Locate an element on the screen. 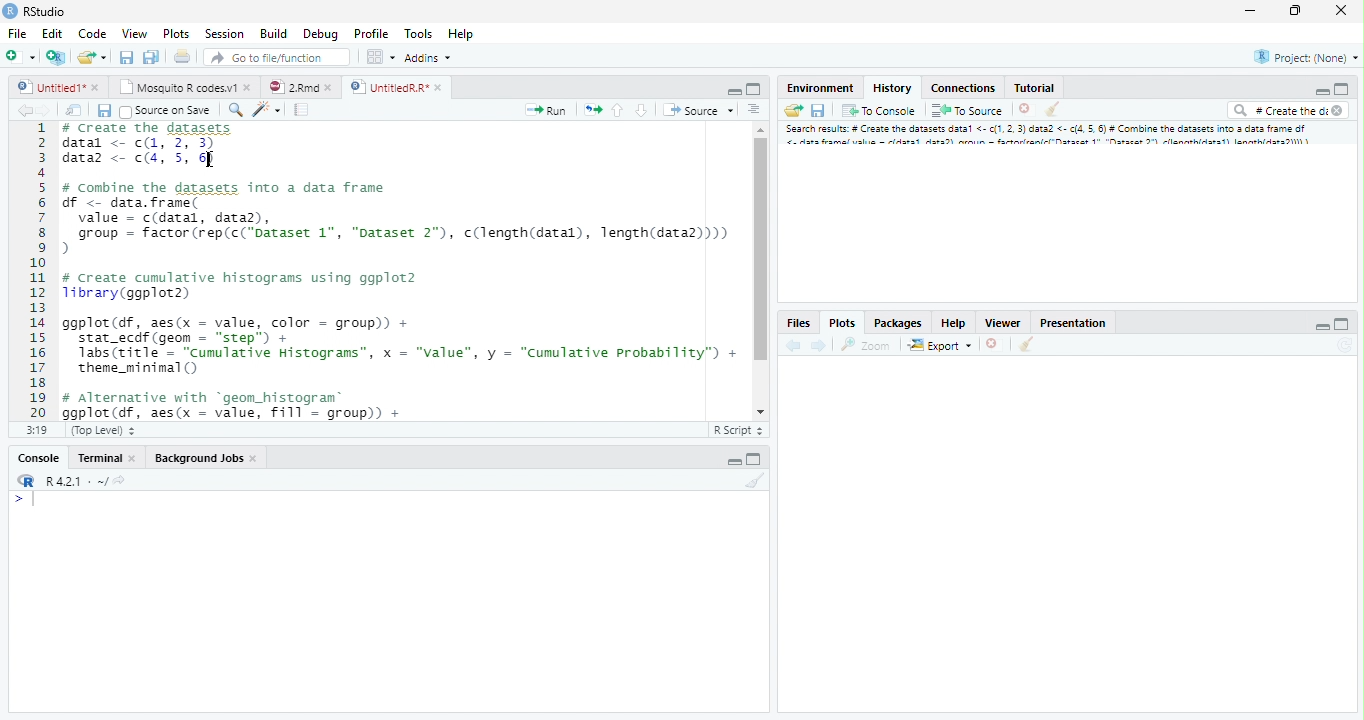  Addins is located at coordinates (429, 59).